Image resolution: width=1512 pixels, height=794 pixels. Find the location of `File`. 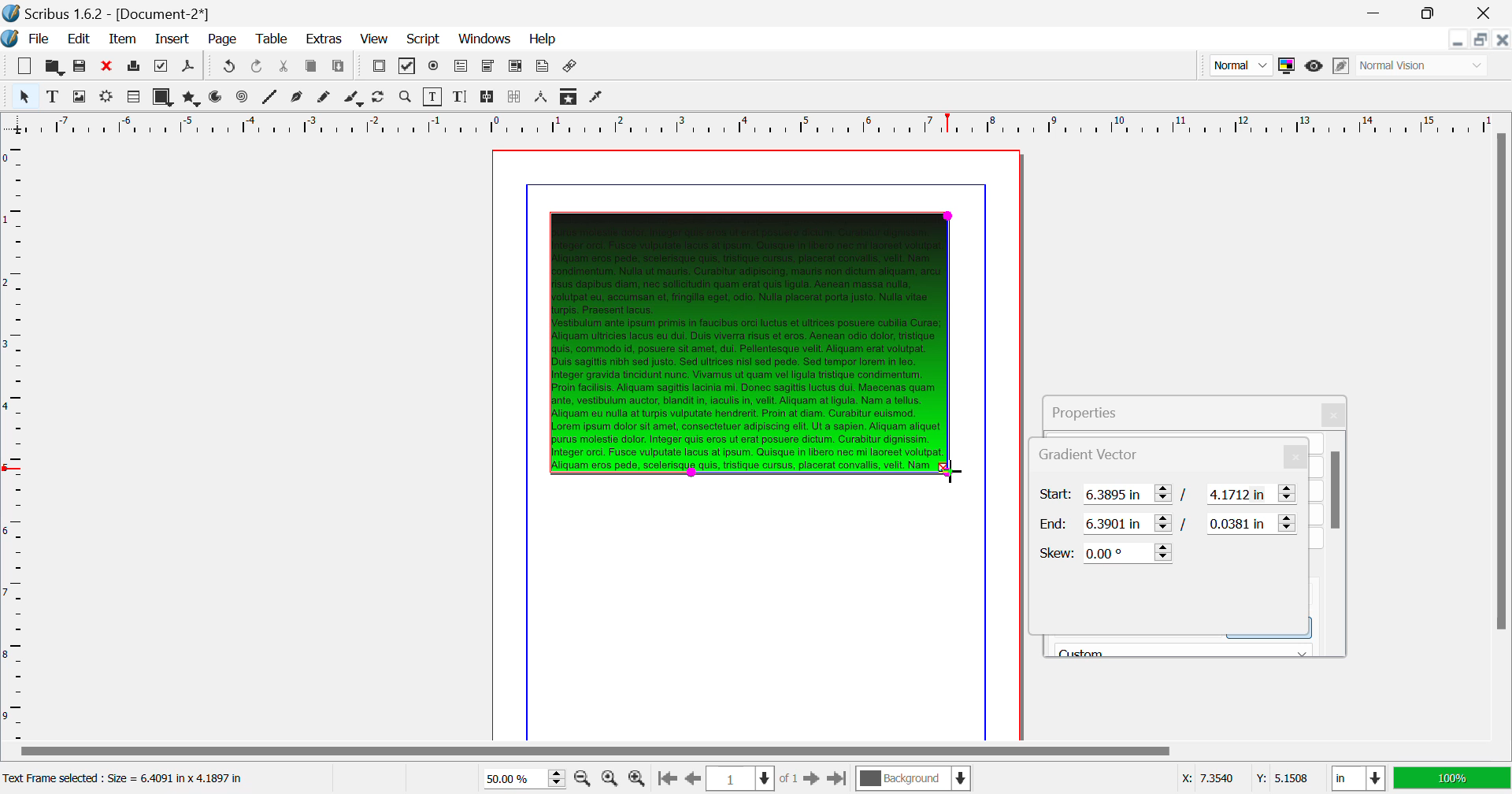

File is located at coordinates (28, 39).